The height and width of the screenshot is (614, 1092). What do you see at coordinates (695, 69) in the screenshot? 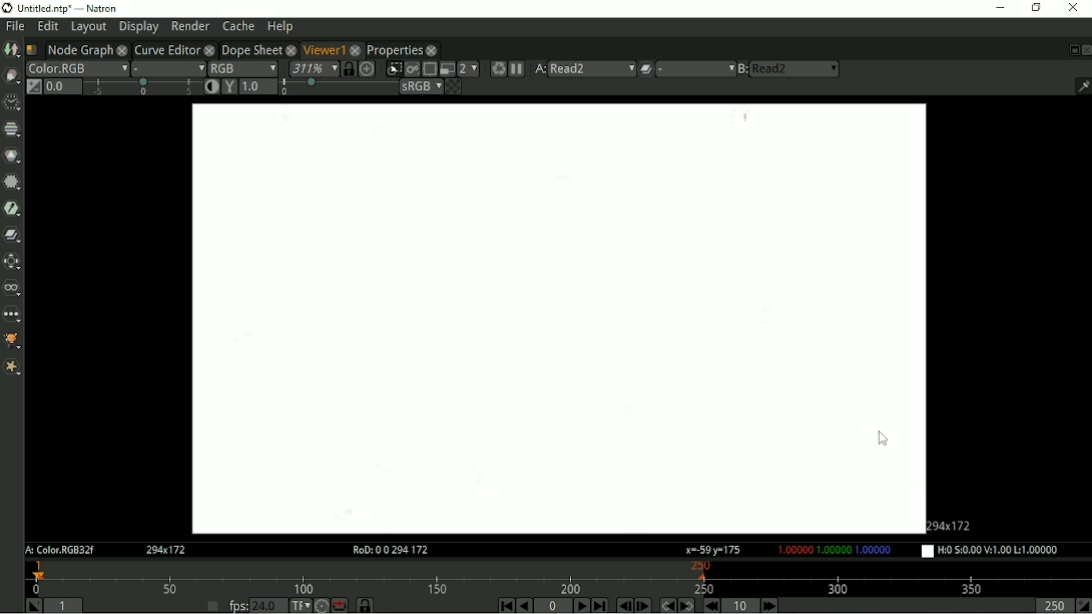
I see `menu` at bounding box center [695, 69].